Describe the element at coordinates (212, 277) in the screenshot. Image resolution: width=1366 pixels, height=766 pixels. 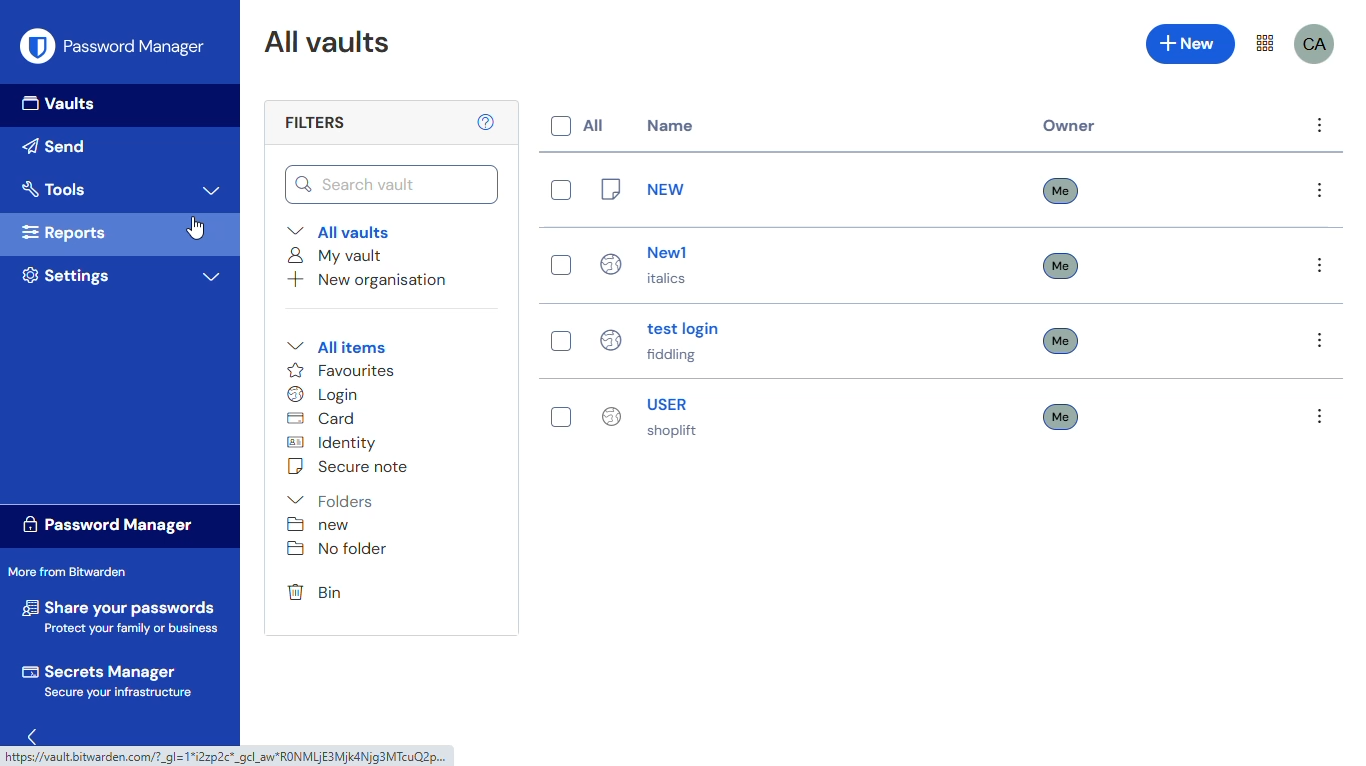
I see `toggle expand` at that location.